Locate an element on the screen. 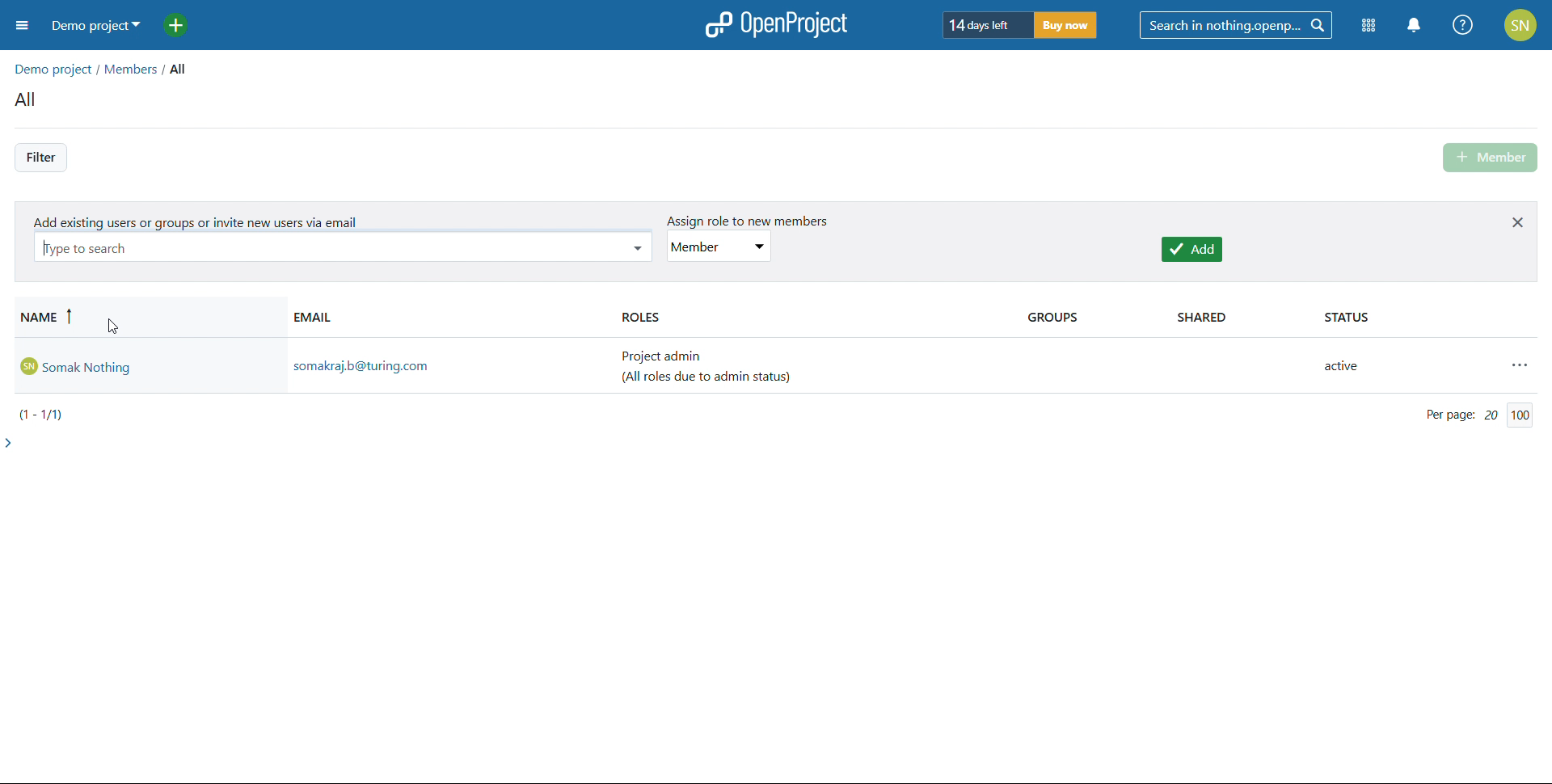 This screenshot has width=1552, height=784. all is located at coordinates (183, 69).